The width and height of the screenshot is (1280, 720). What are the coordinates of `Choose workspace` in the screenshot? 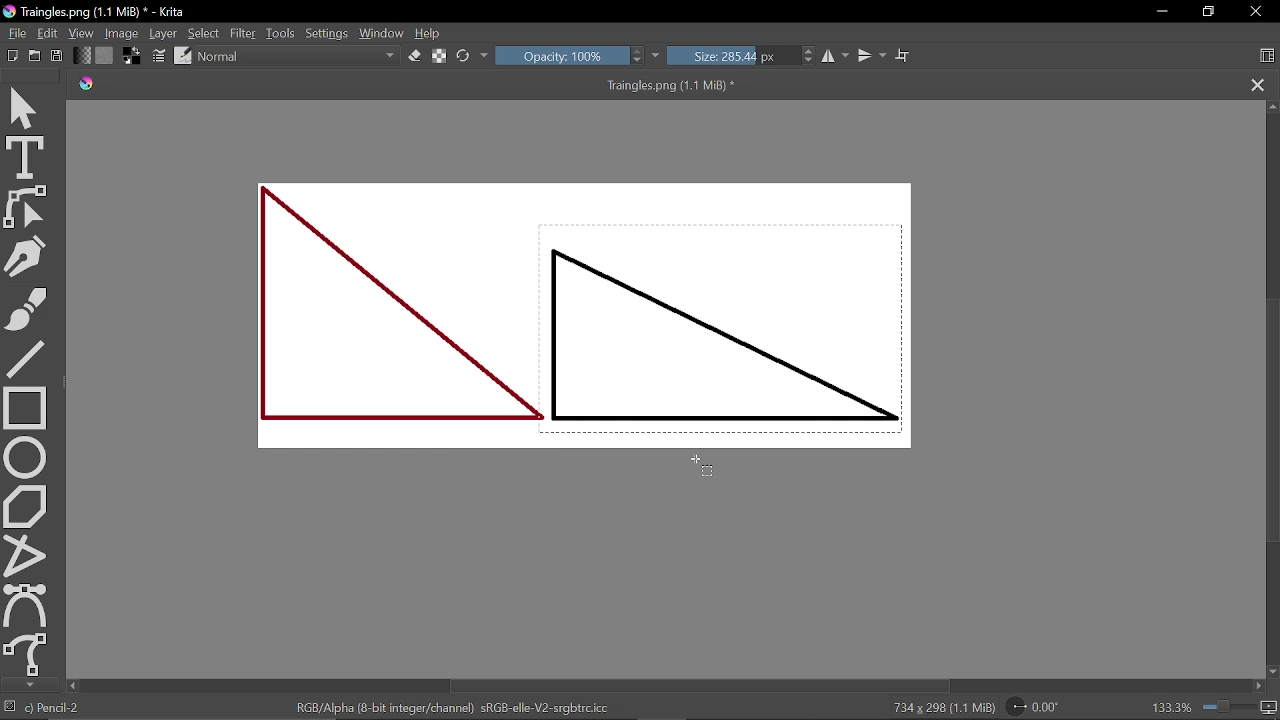 It's located at (1266, 55).